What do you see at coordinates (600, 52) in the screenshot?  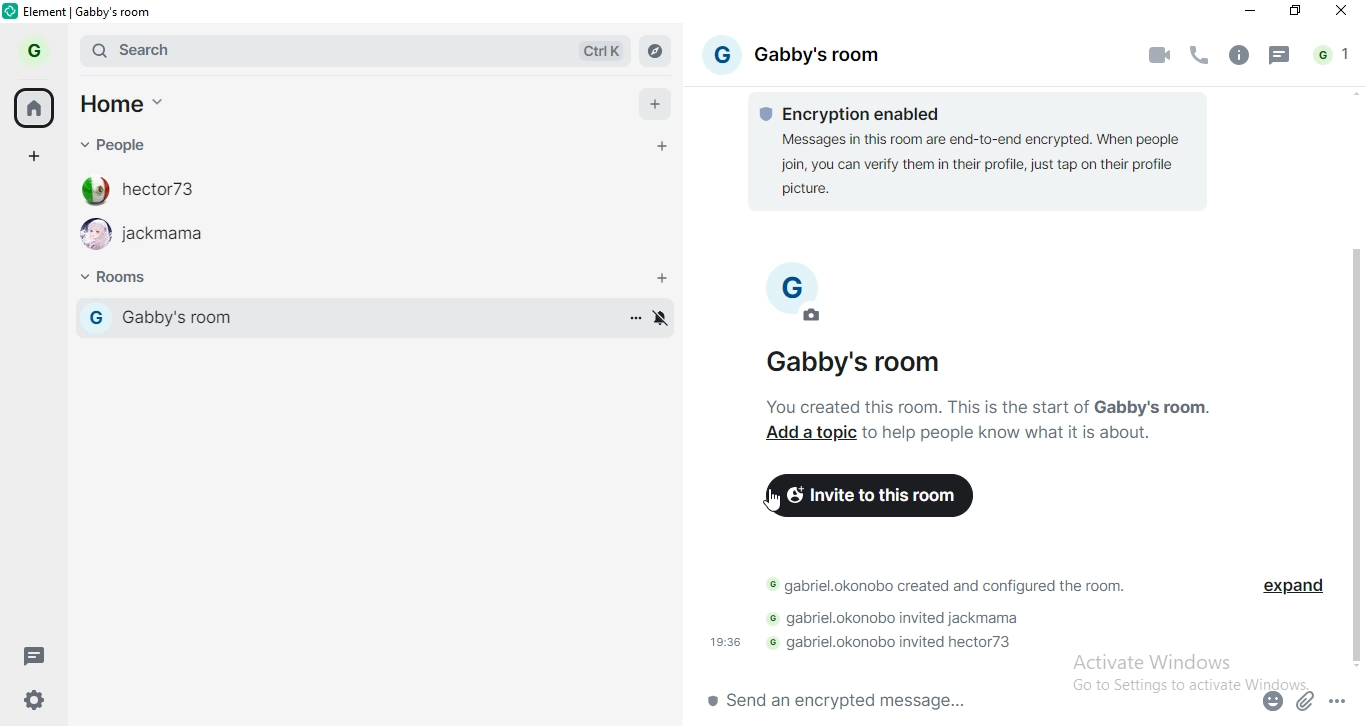 I see `Ctrl K` at bounding box center [600, 52].